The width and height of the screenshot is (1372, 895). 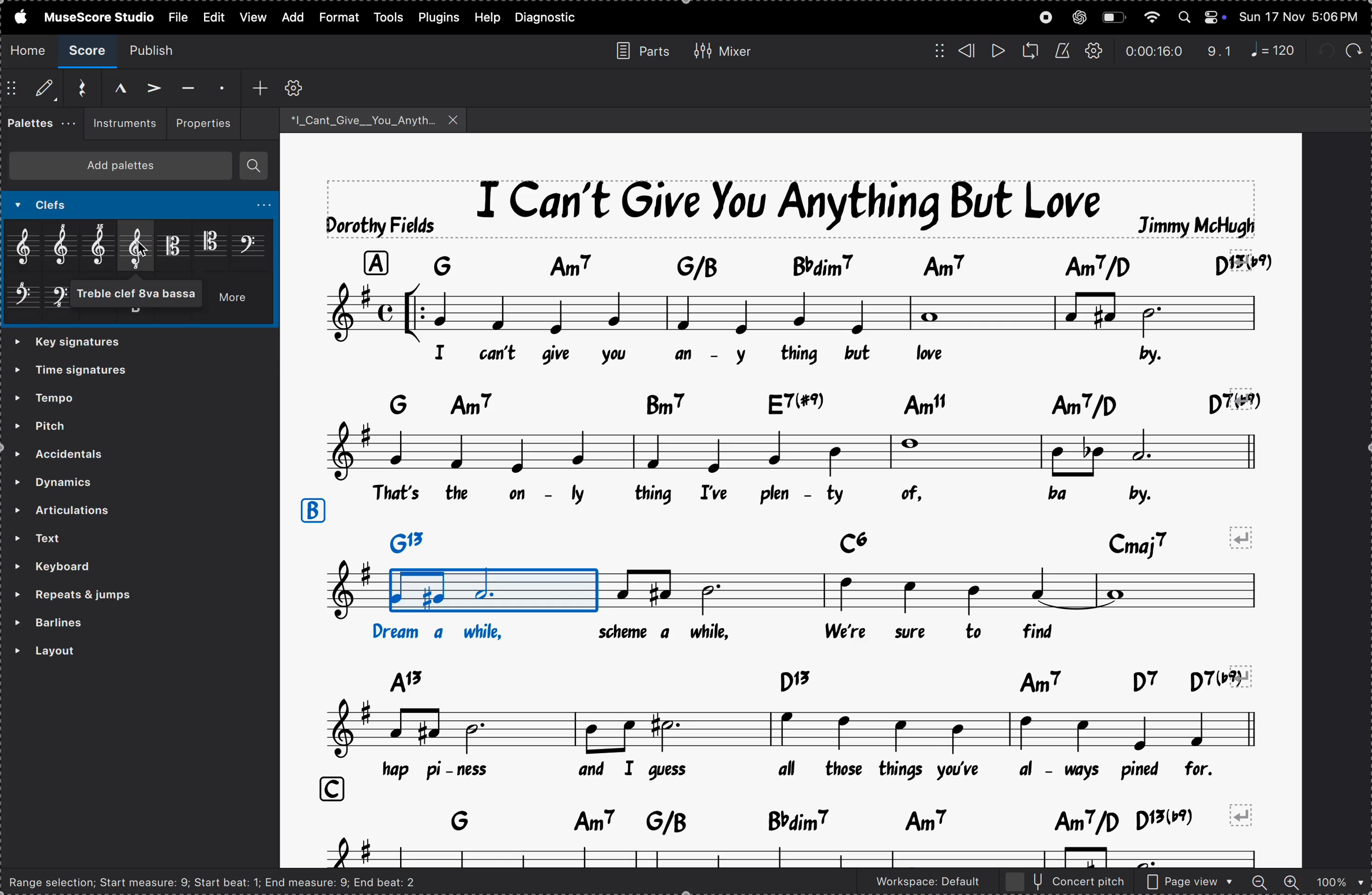 I want to click on bass clef 8 bassa, so click(x=61, y=302).